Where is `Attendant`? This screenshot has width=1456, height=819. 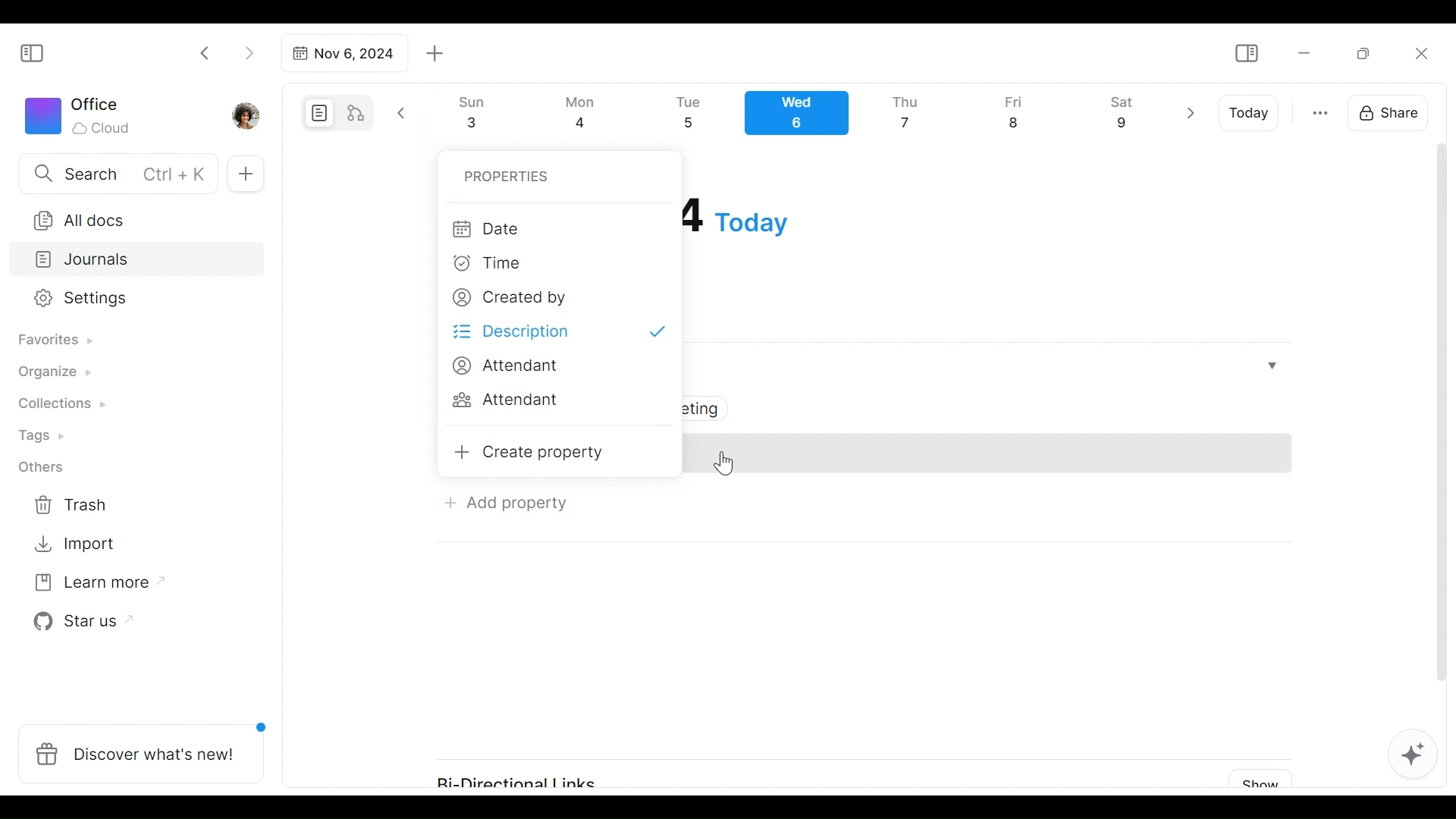
Attendant is located at coordinates (506, 402).